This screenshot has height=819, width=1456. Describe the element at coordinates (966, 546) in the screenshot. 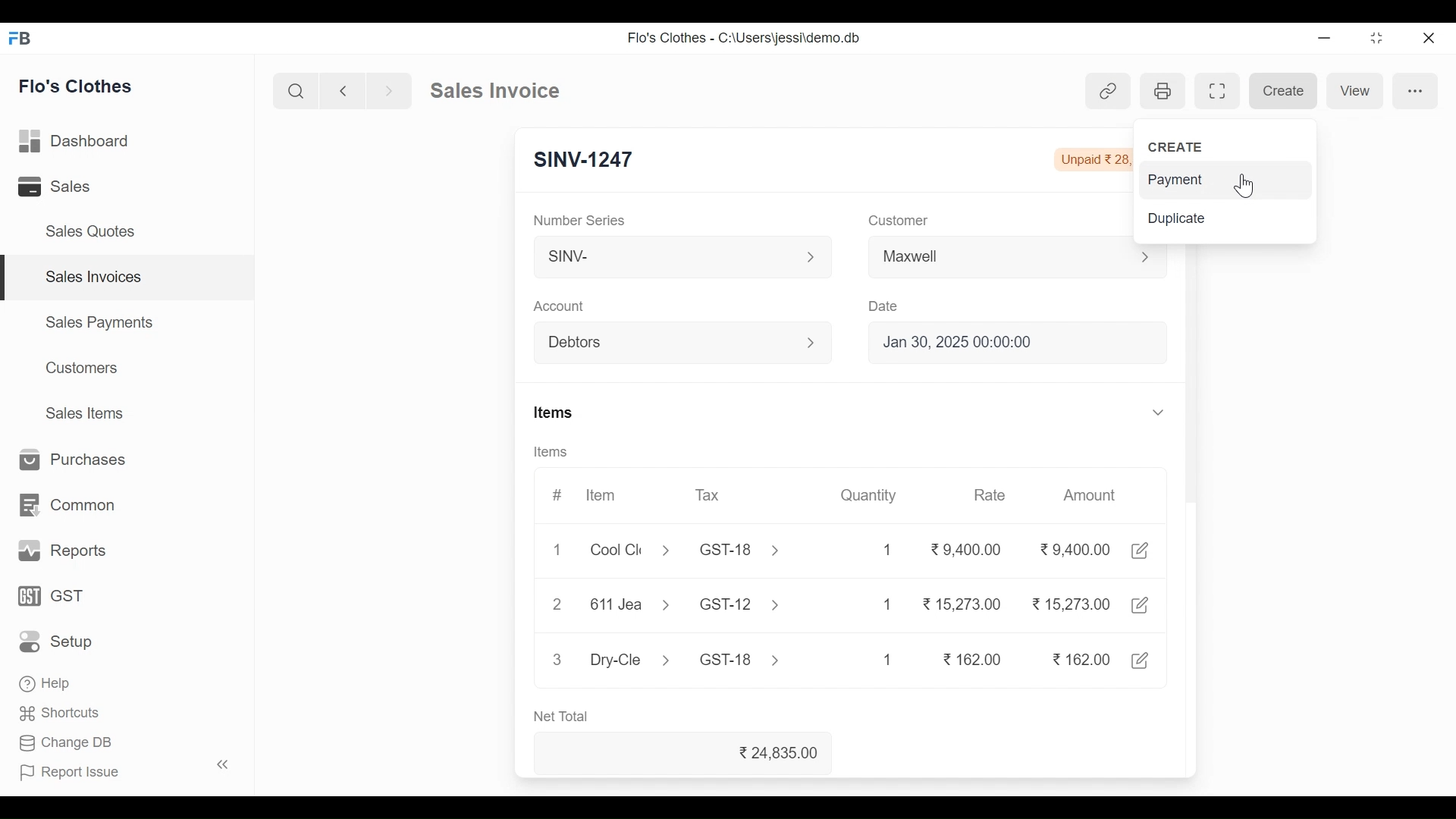

I see `9,400.00` at that location.